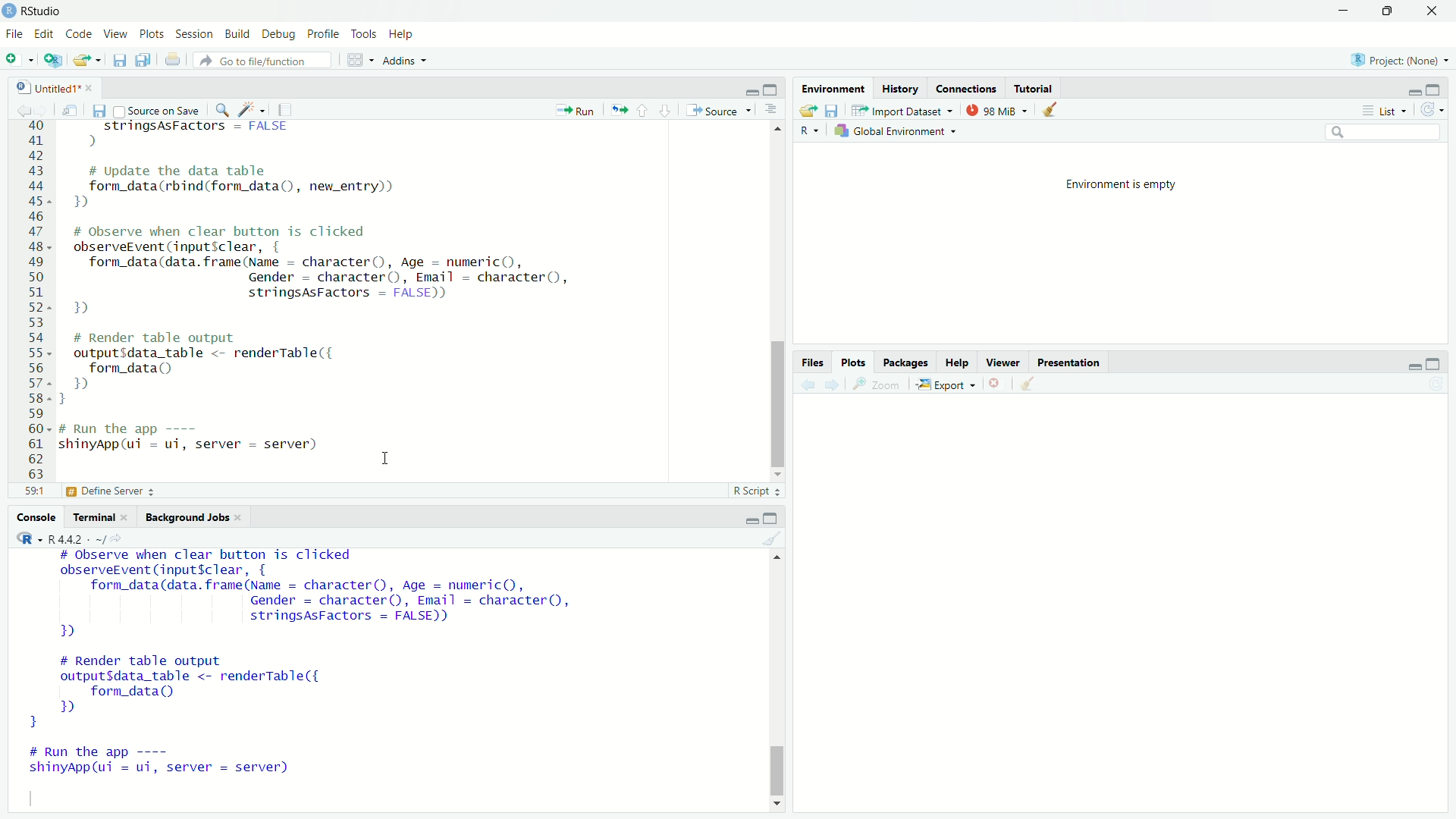 The width and height of the screenshot is (1456, 819). Describe the element at coordinates (220, 108) in the screenshot. I see `find/replace` at that location.